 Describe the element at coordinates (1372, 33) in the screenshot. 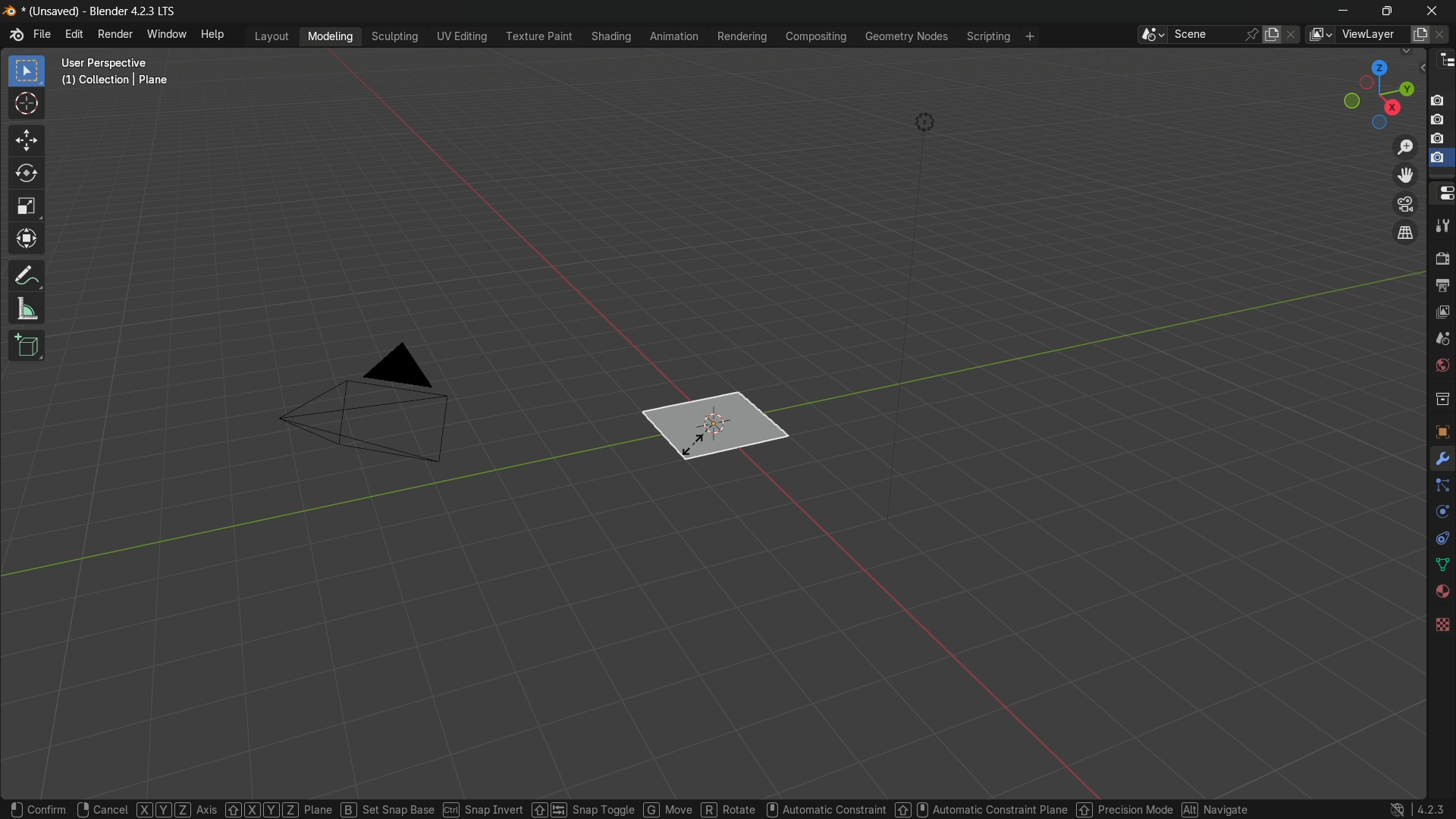

I see `view layer name` at that location.